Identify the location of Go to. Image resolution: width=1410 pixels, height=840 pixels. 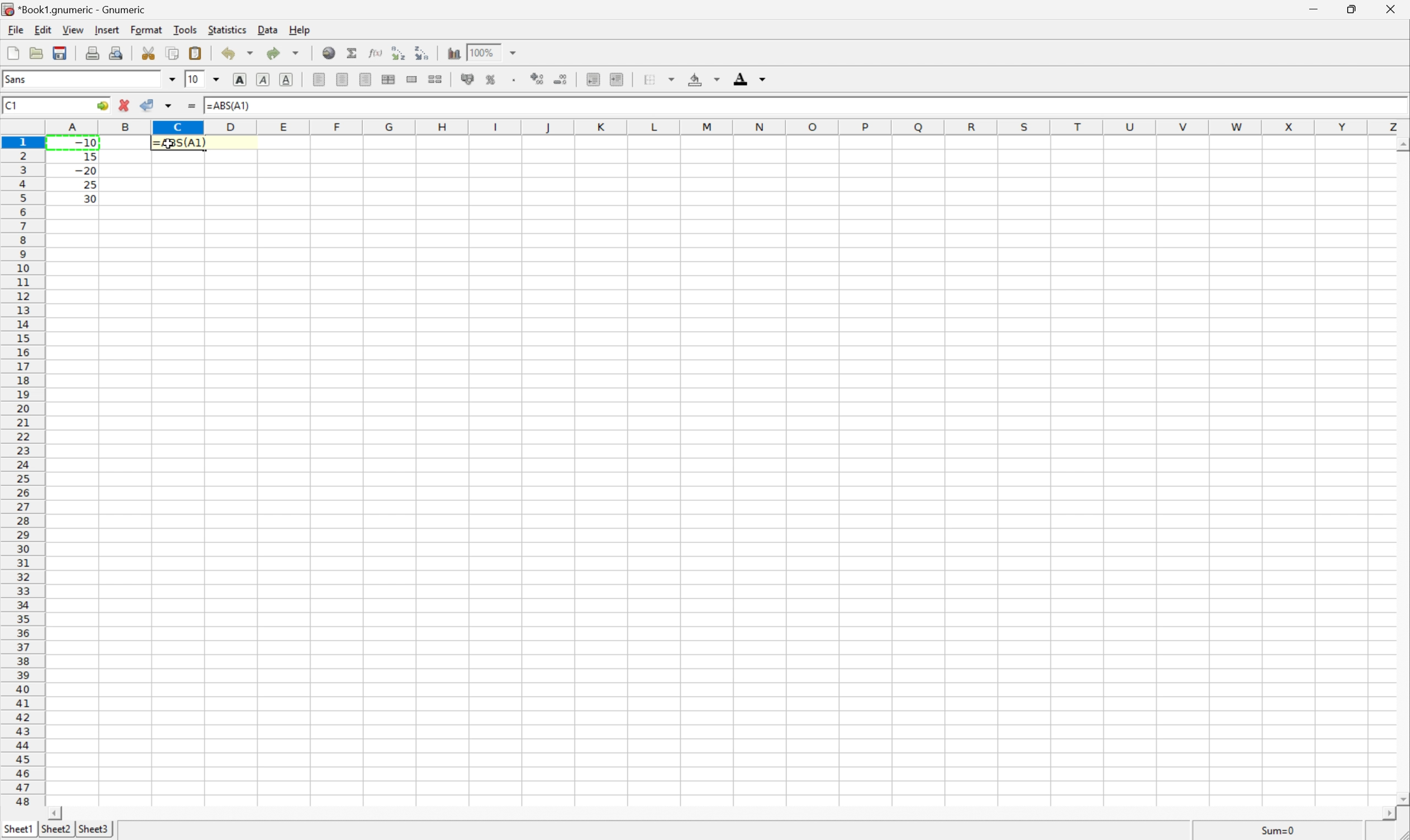
(101, 106).